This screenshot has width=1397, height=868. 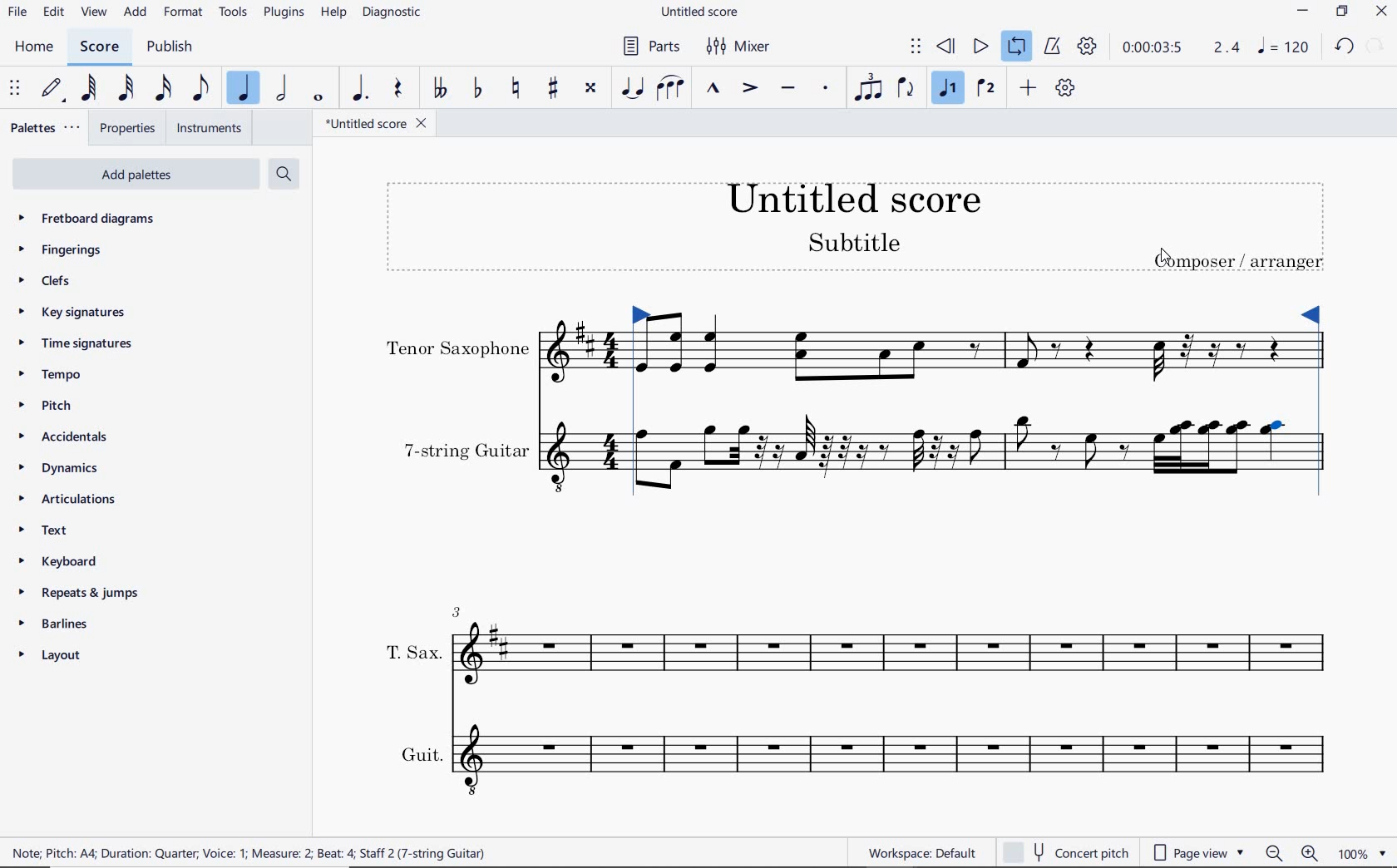 What do you see at coordinates (855, 223) in the screenshot?
I see `TITLE` at bounding box center [855, 223].